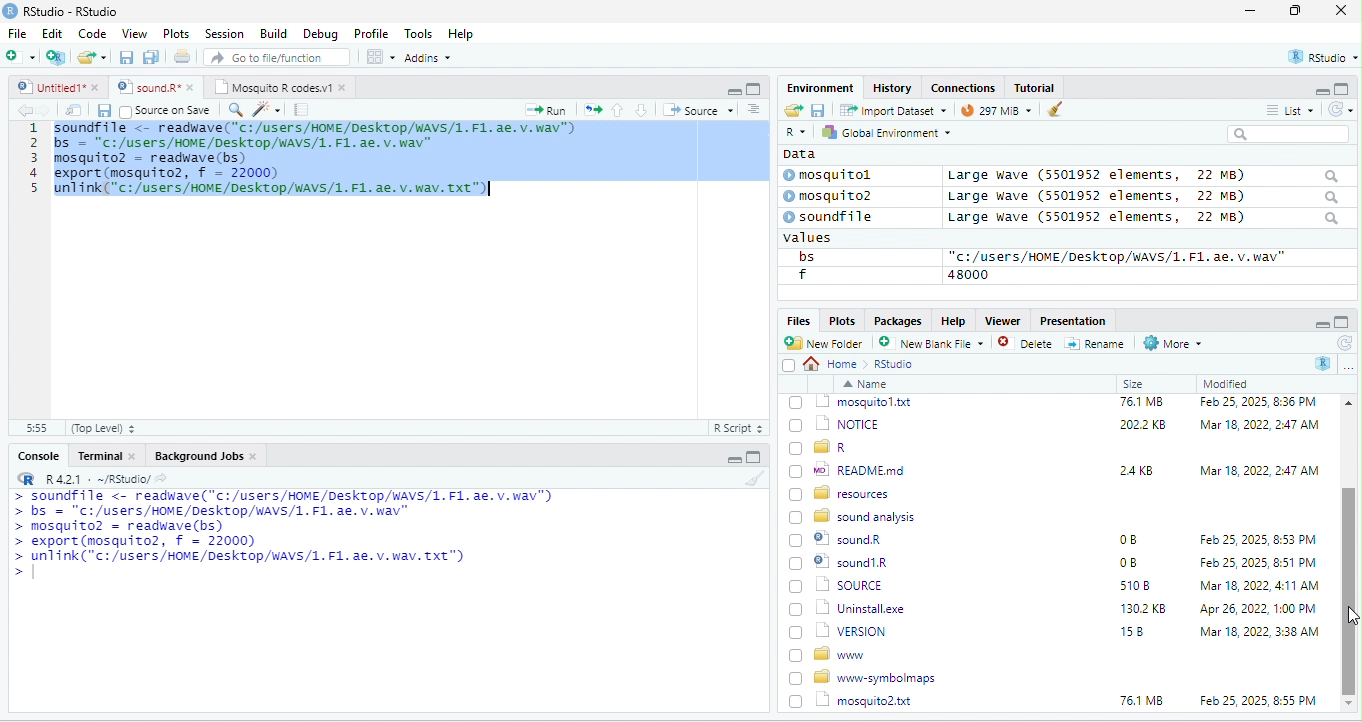  I want to click on © soundfile, so click(837, 216).